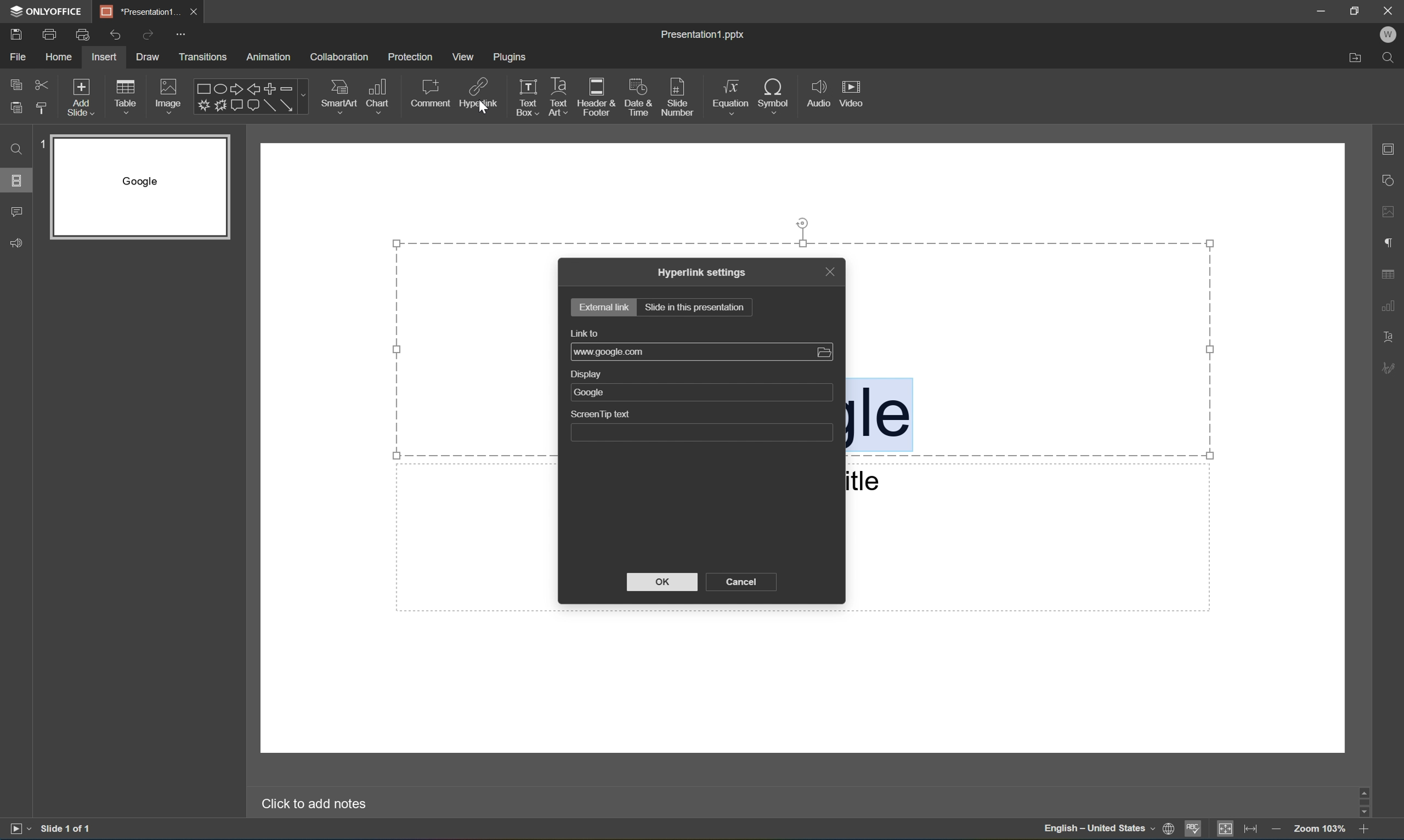 This screenshot has width=1404, height=840. I want to click on Drop down, so click(304, 96).